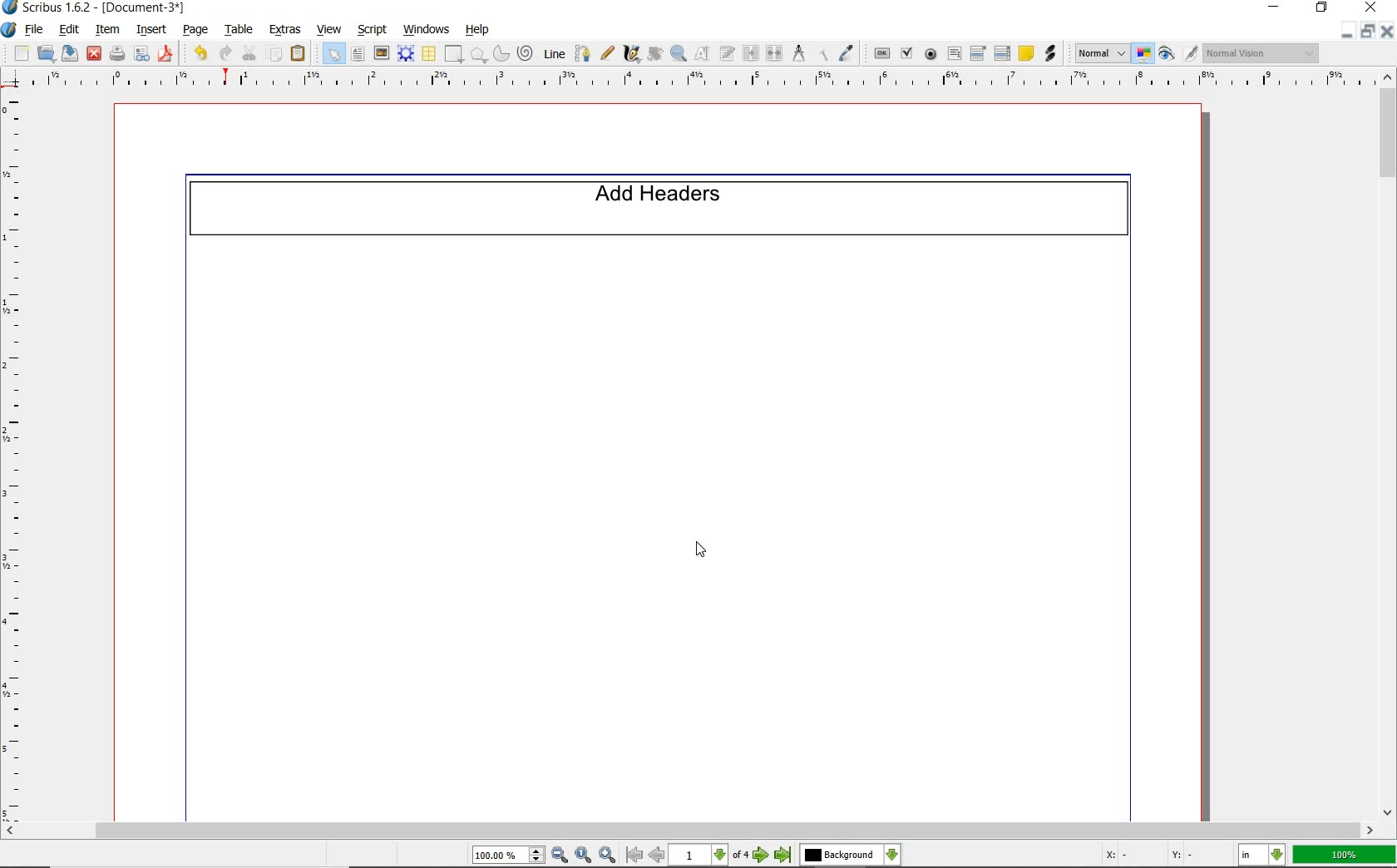 The image size is (1397, 868). Describe the element at coordinates (1027, 53) in the screenshot. I see `text annotation` at that location.